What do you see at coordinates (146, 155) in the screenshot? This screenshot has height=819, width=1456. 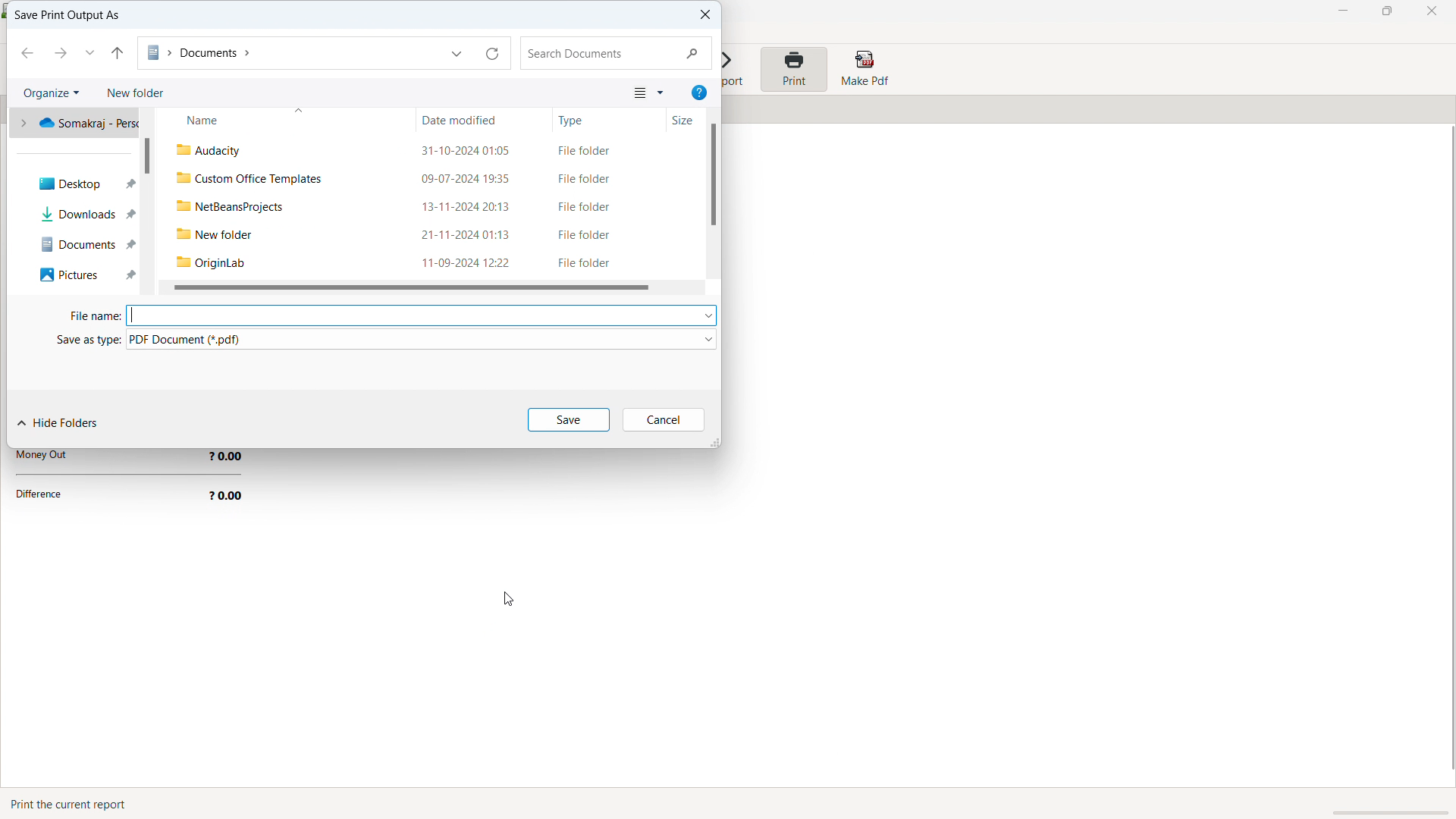 I see `scrollbar` at bounding box center [146, 155].